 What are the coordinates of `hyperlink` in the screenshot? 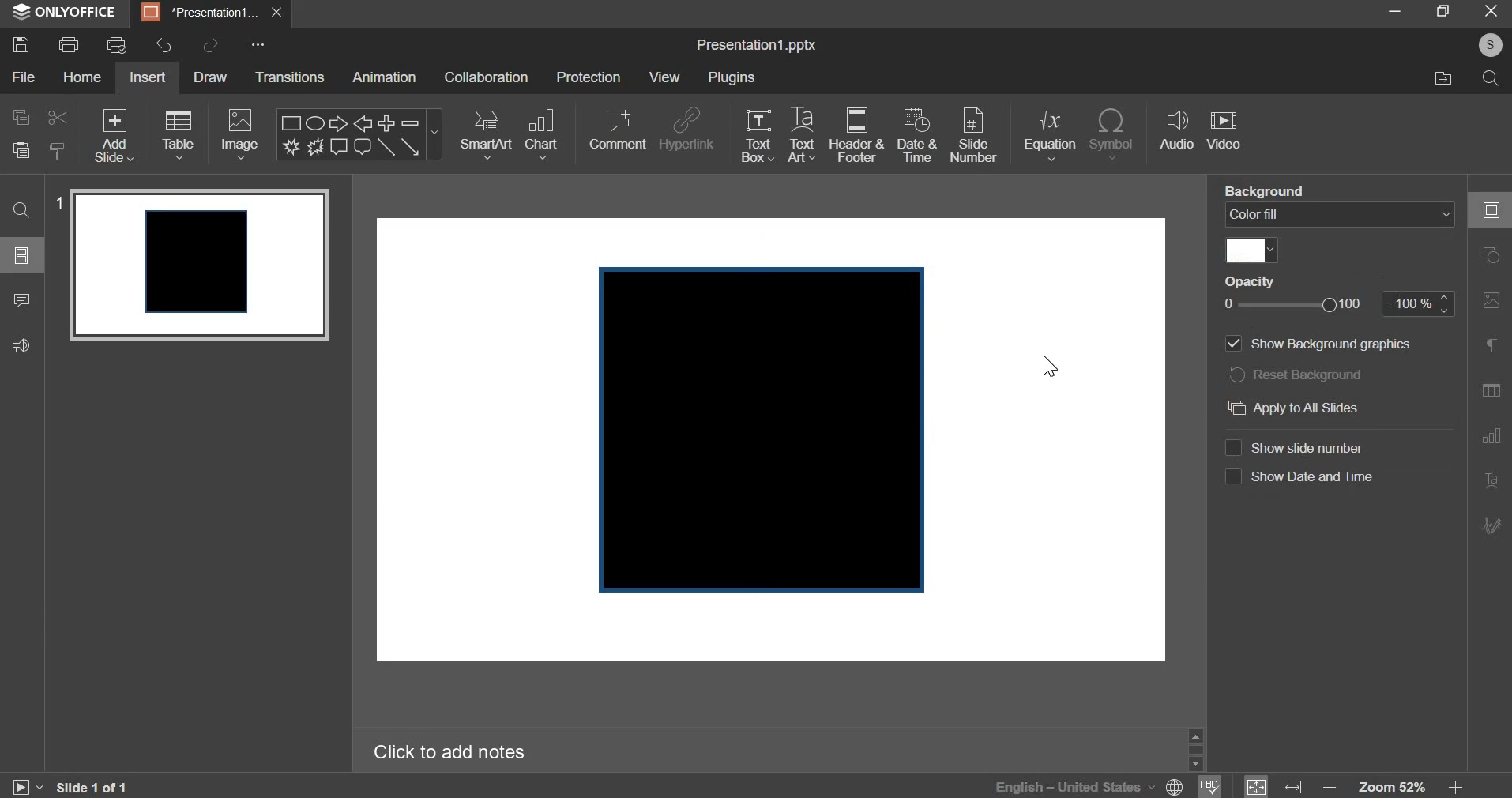 It's located at (685, 130).